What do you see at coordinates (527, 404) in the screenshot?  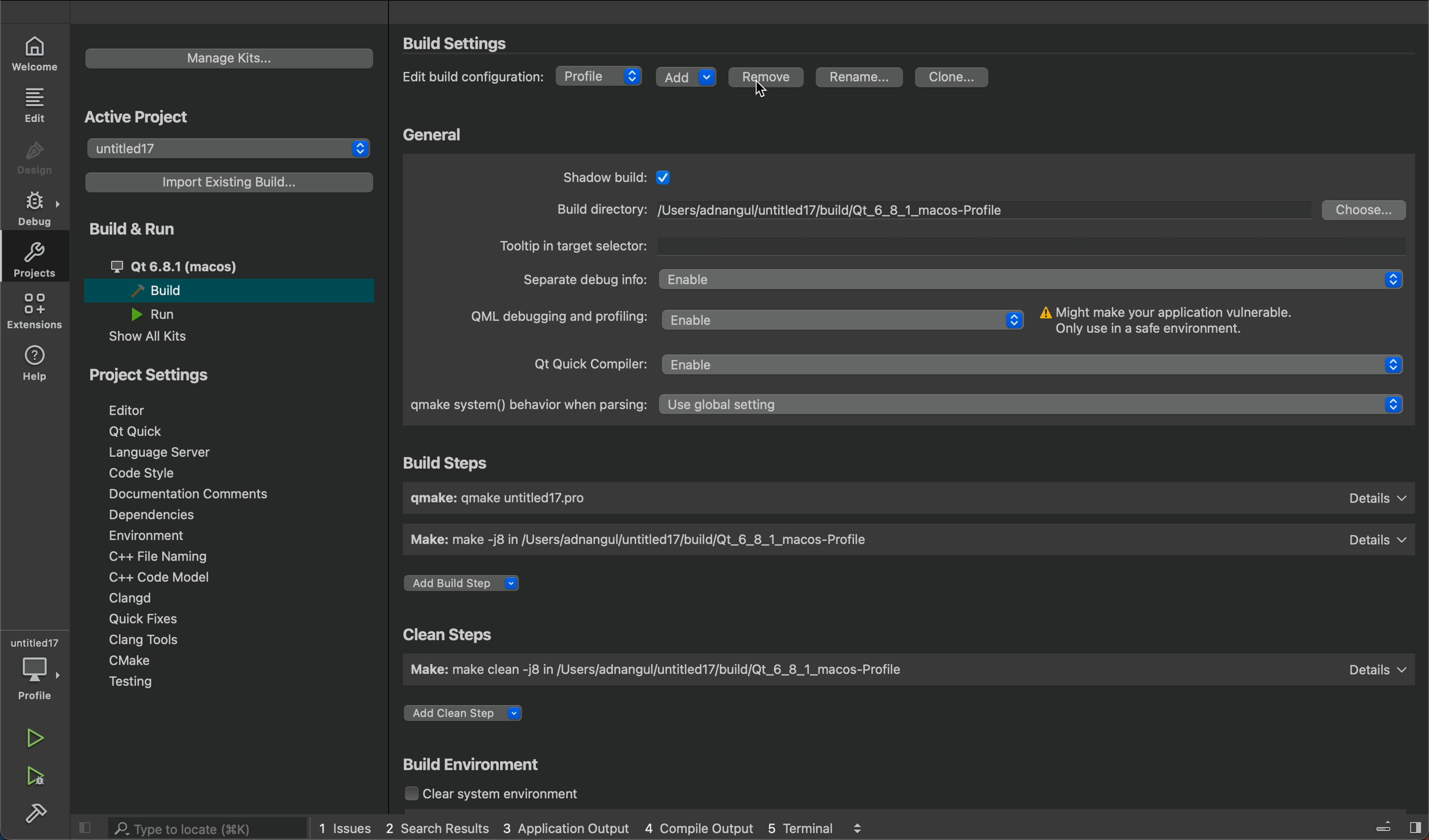 I see `qmake system` at bounding box center [527, 404].